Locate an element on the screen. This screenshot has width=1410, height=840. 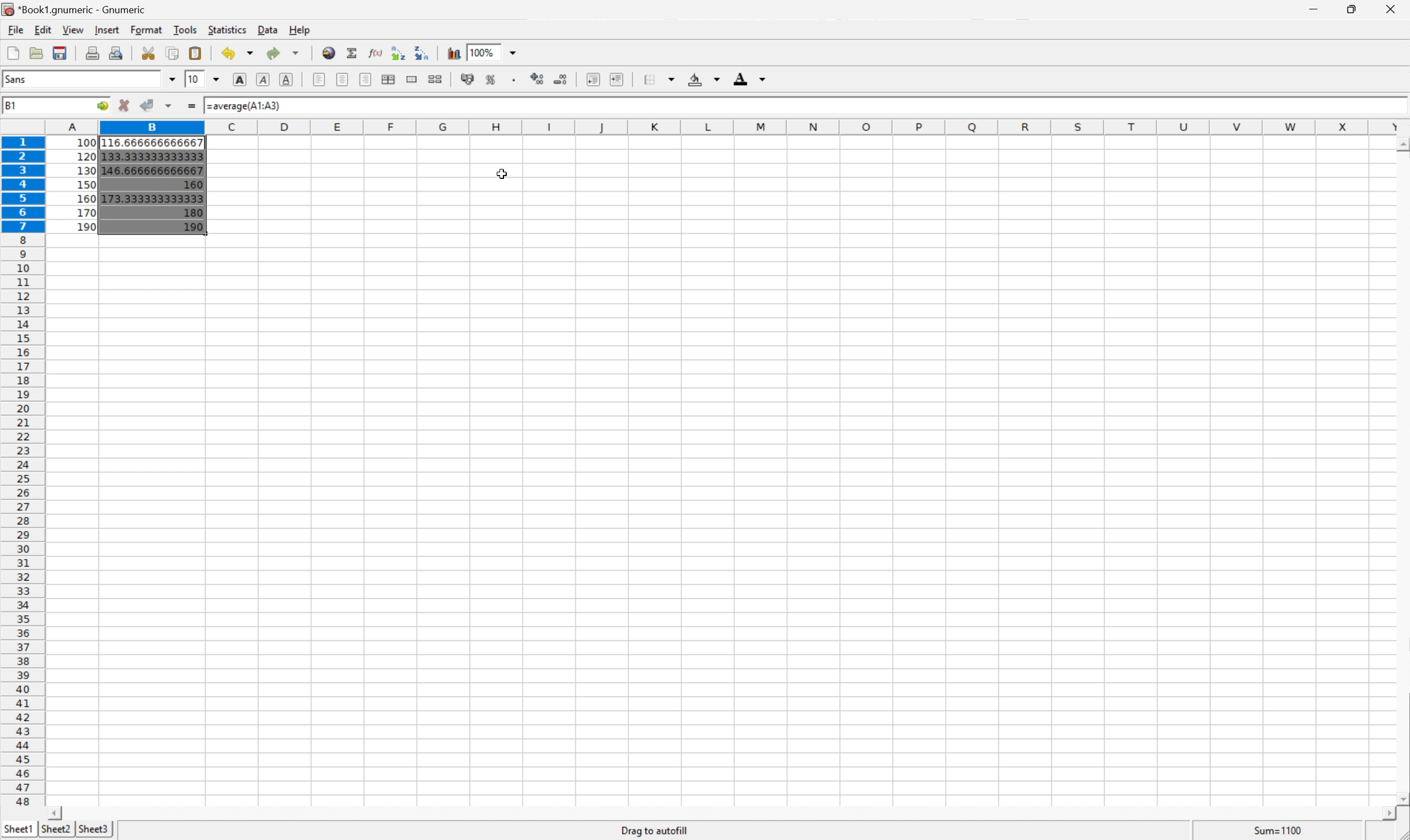
100% is located at coordinates (484, 52).